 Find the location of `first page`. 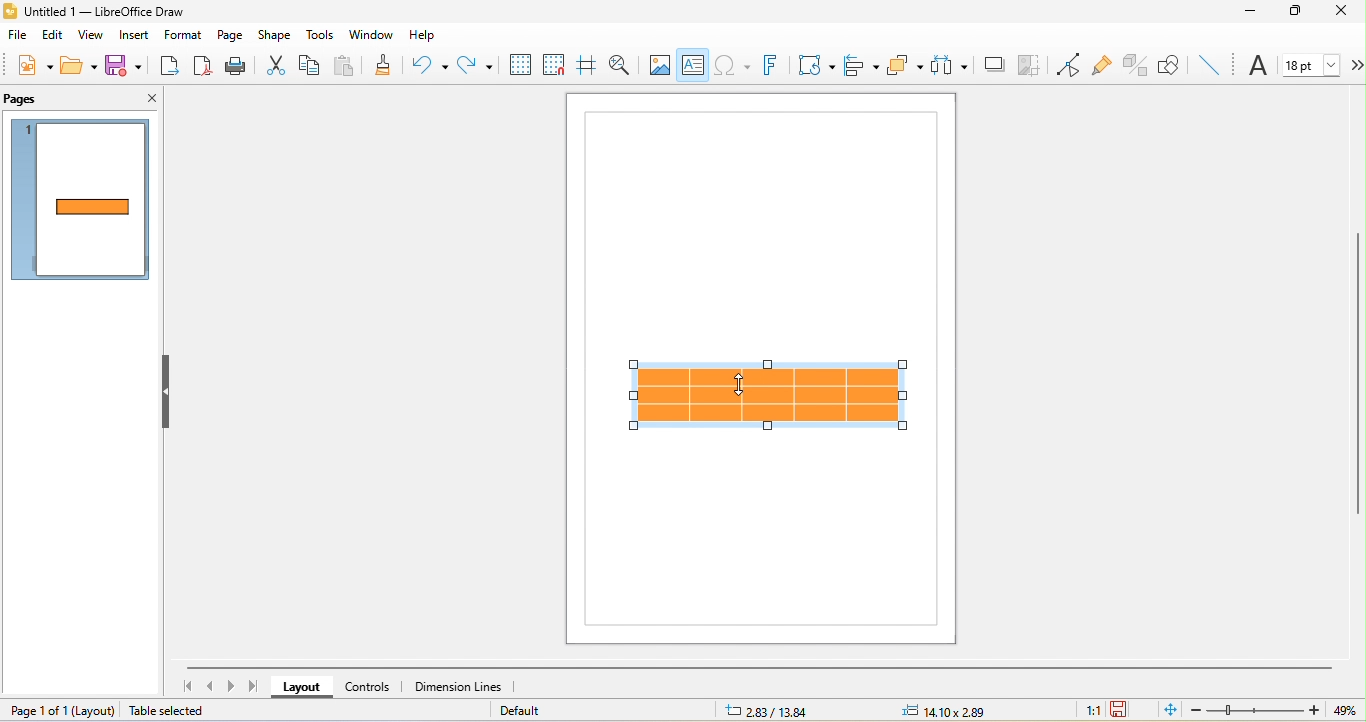

first page is located at coordinates (187, 687).